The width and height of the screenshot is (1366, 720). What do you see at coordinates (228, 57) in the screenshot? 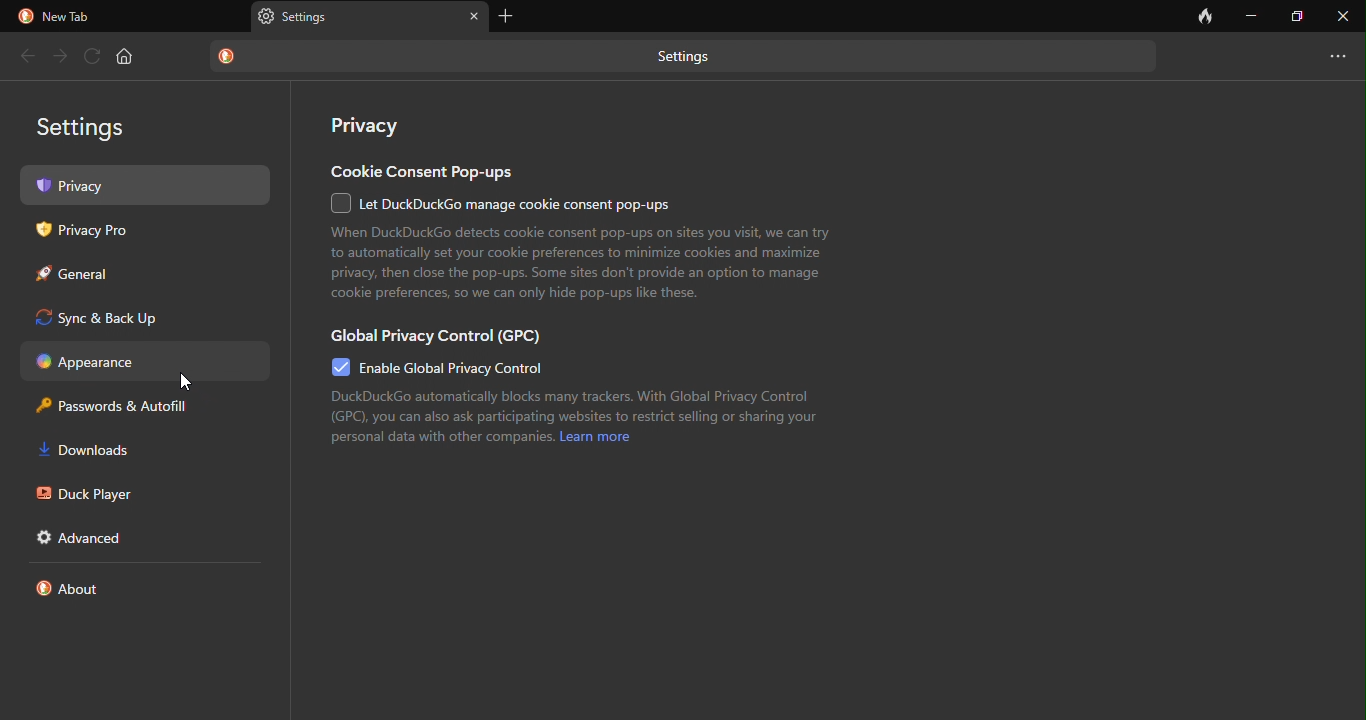
I see `duckduck go logo` at bounding box center [228, 57].